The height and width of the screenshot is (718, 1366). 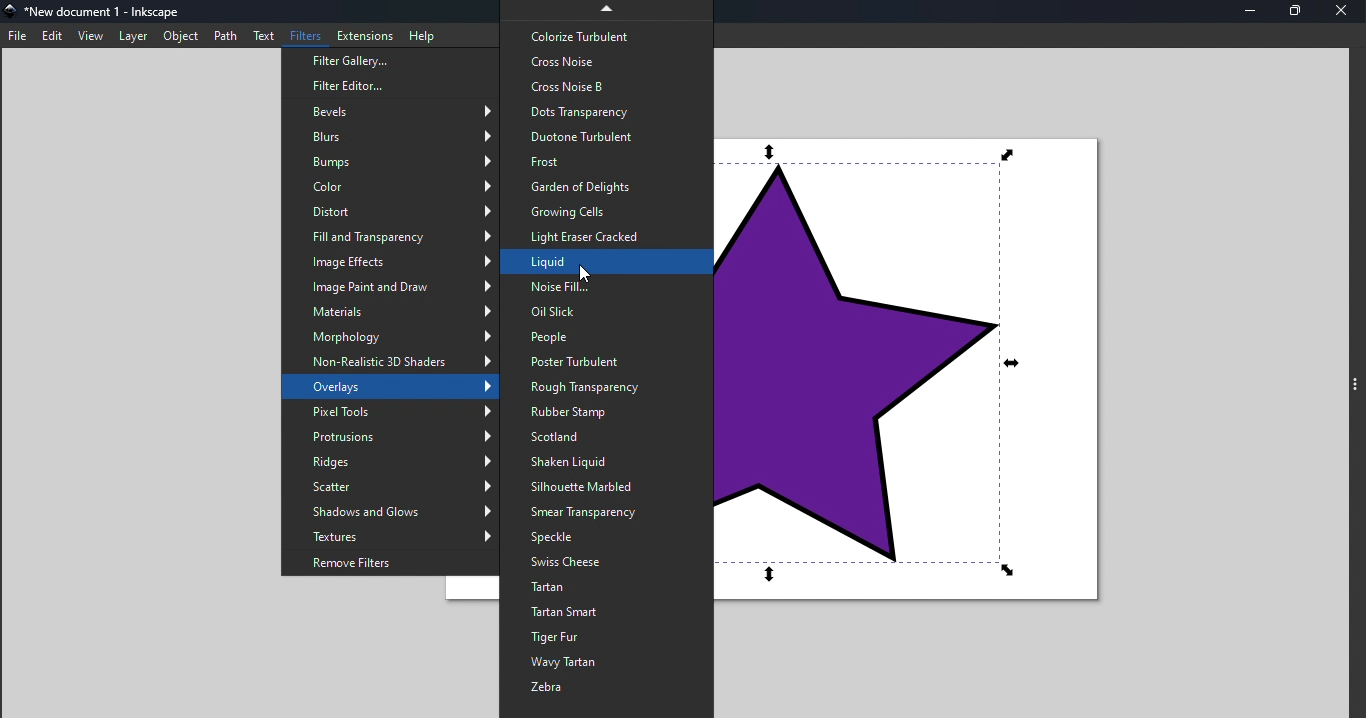 I want to click on Text, so click(x=260, y=35).